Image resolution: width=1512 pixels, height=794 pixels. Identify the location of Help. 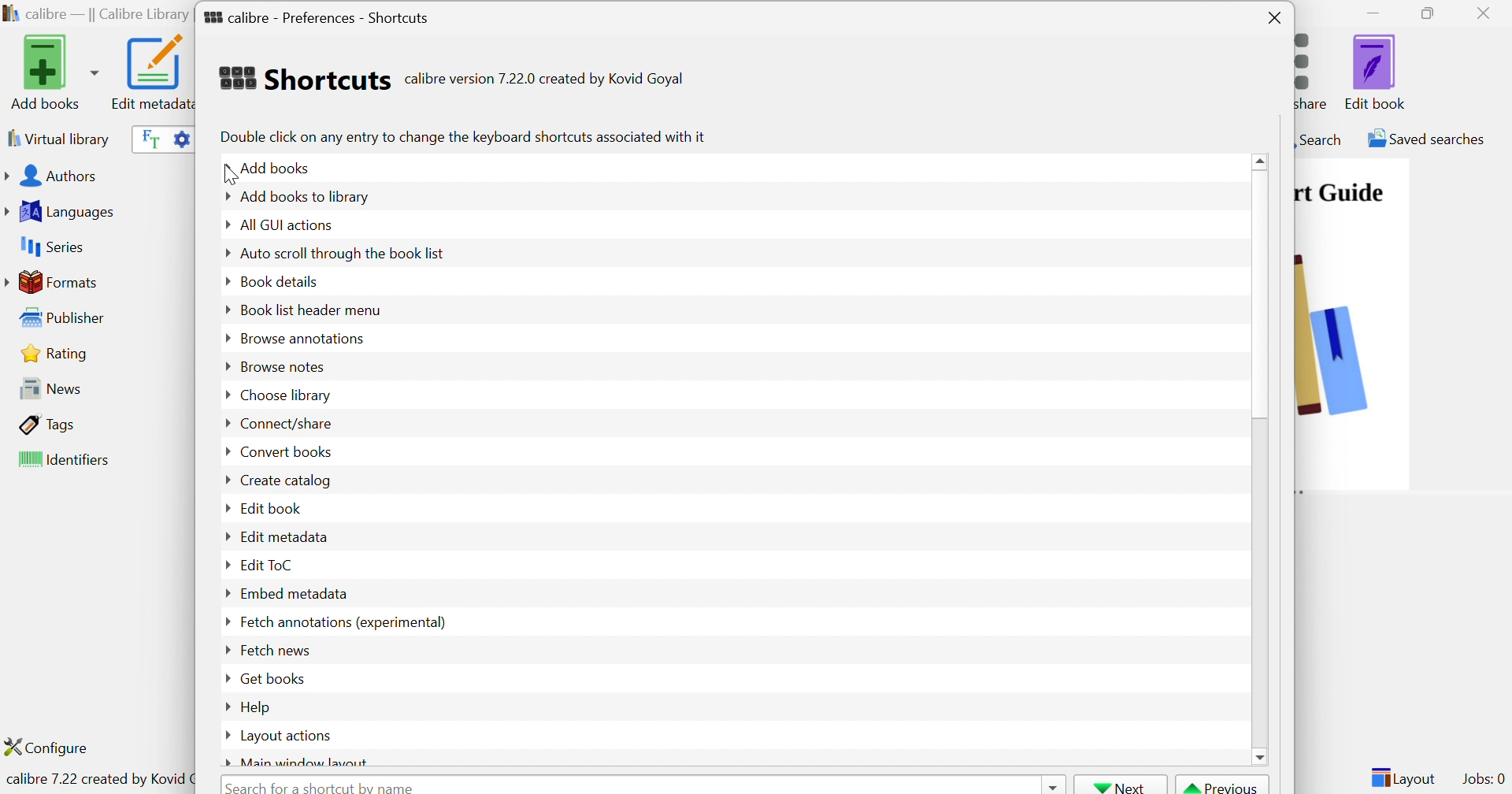
(258, 707).